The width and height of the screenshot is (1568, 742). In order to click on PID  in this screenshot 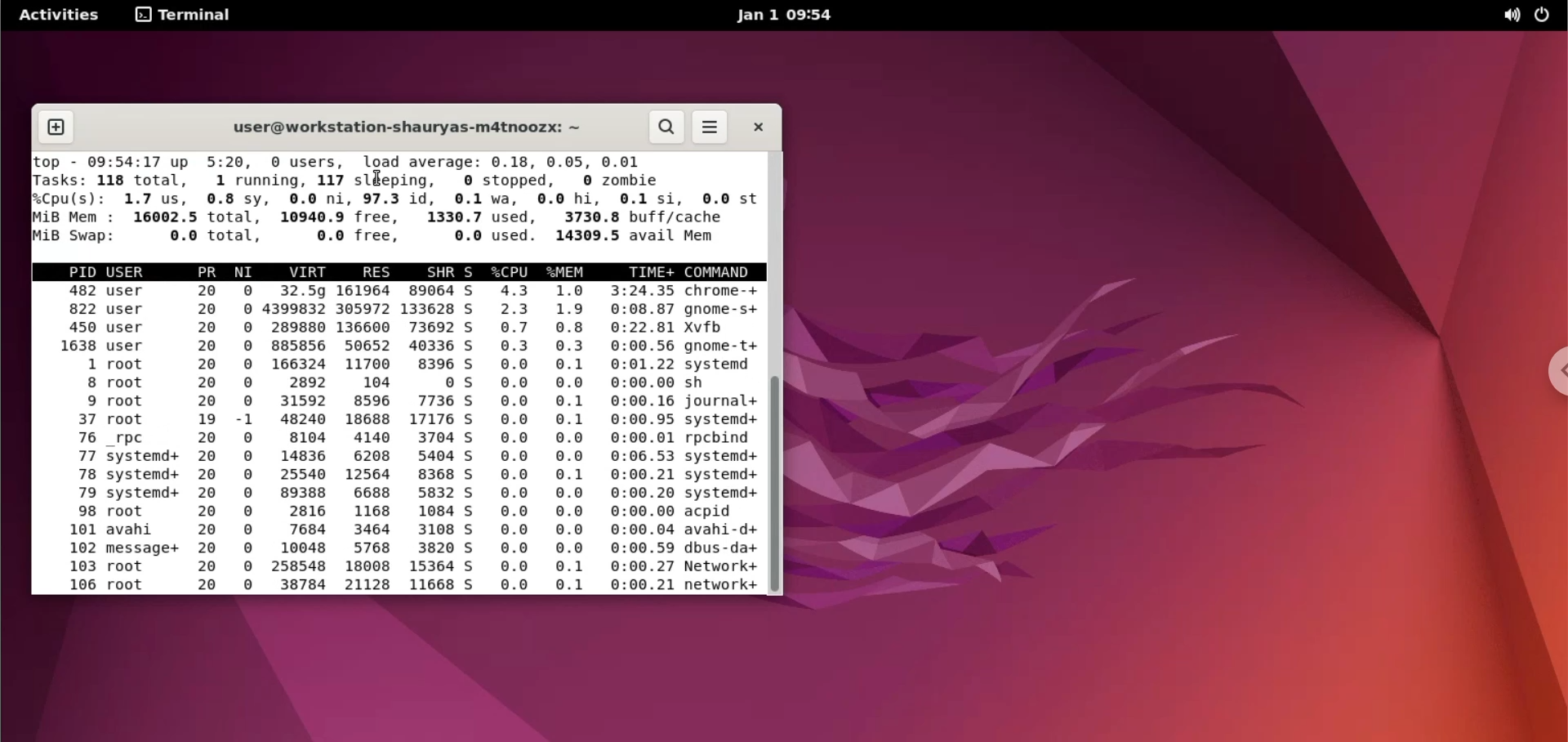, I will do `click(75, 268)`.